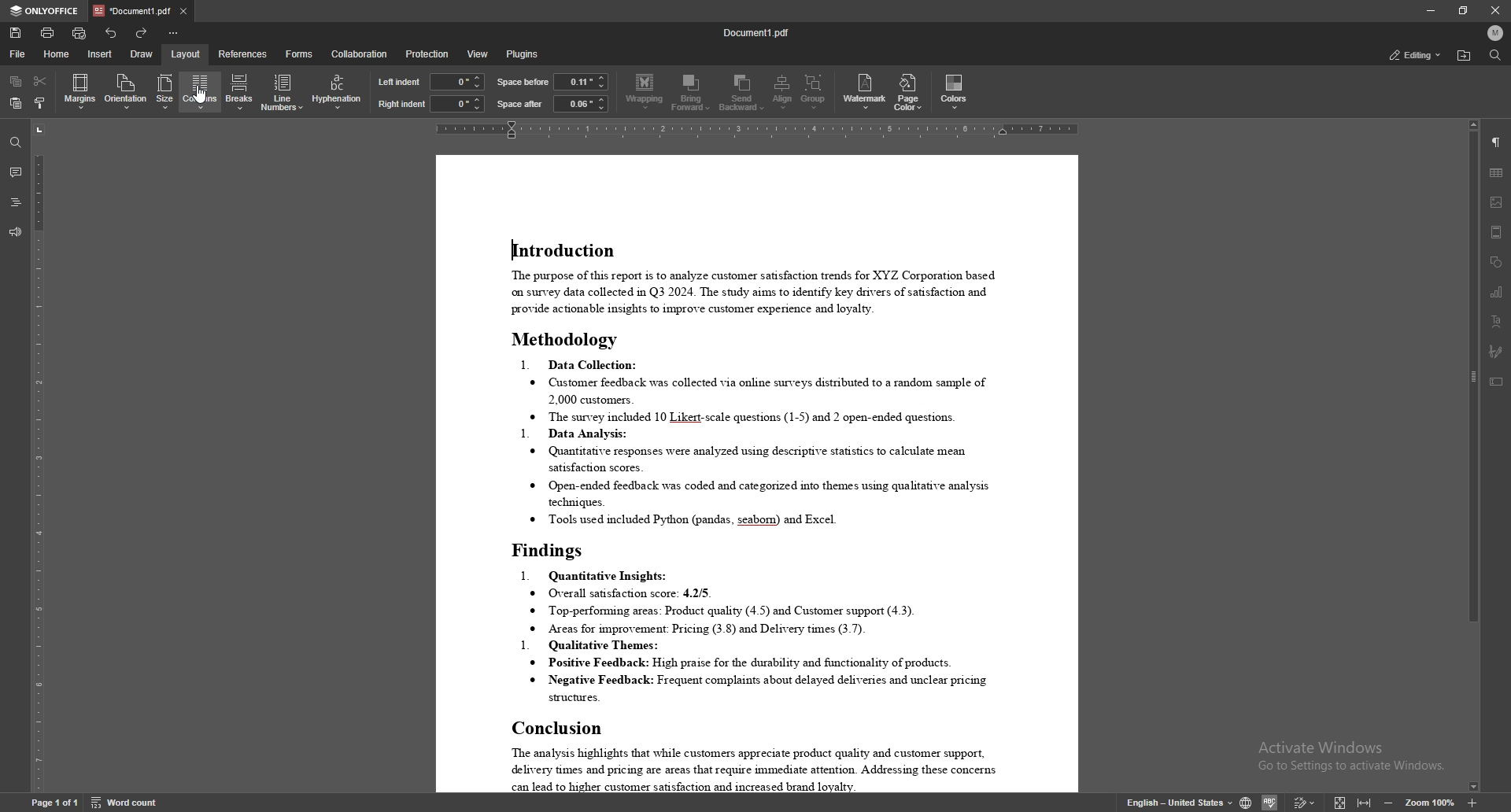 The height and width of the screenshot is (812, 1511). Describe the element at coordinates (142, 32) in the screenshot. I see `redo` at that location.